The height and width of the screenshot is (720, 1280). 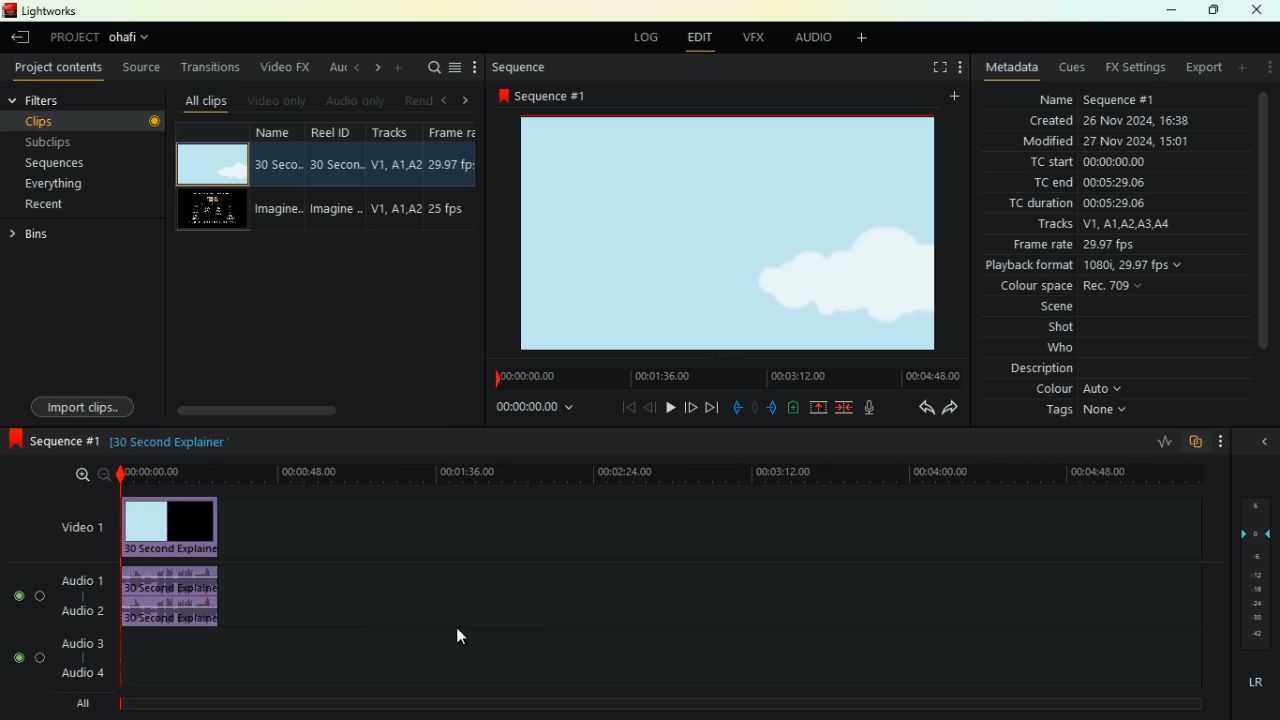 I want to click on sequence, so click(x=53, y=440).